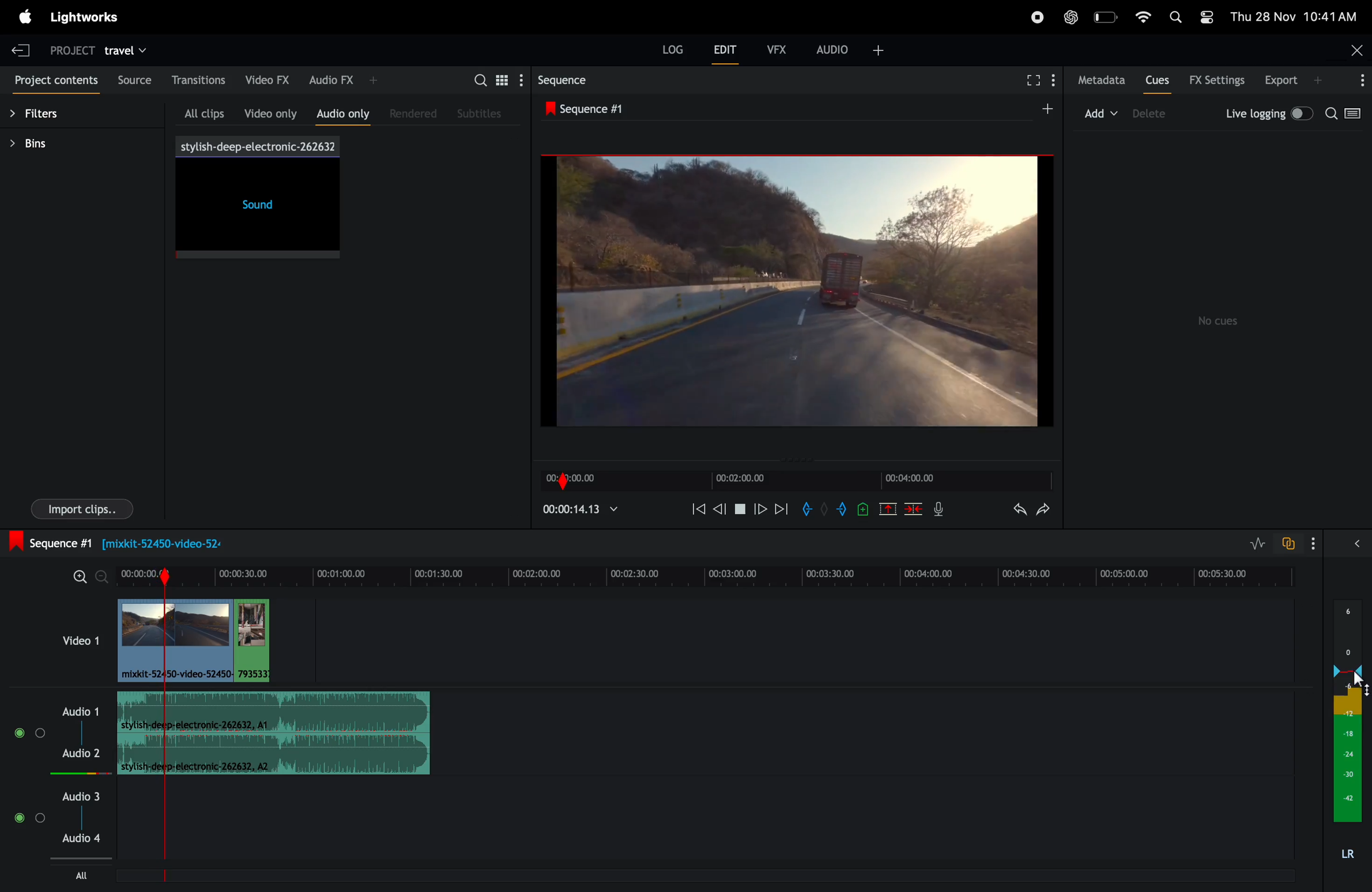 The width and height of the screenshot is (1372, 892). Describe the element at coordinates (703, 576) in the screenshot. I see `time frame` at that location.